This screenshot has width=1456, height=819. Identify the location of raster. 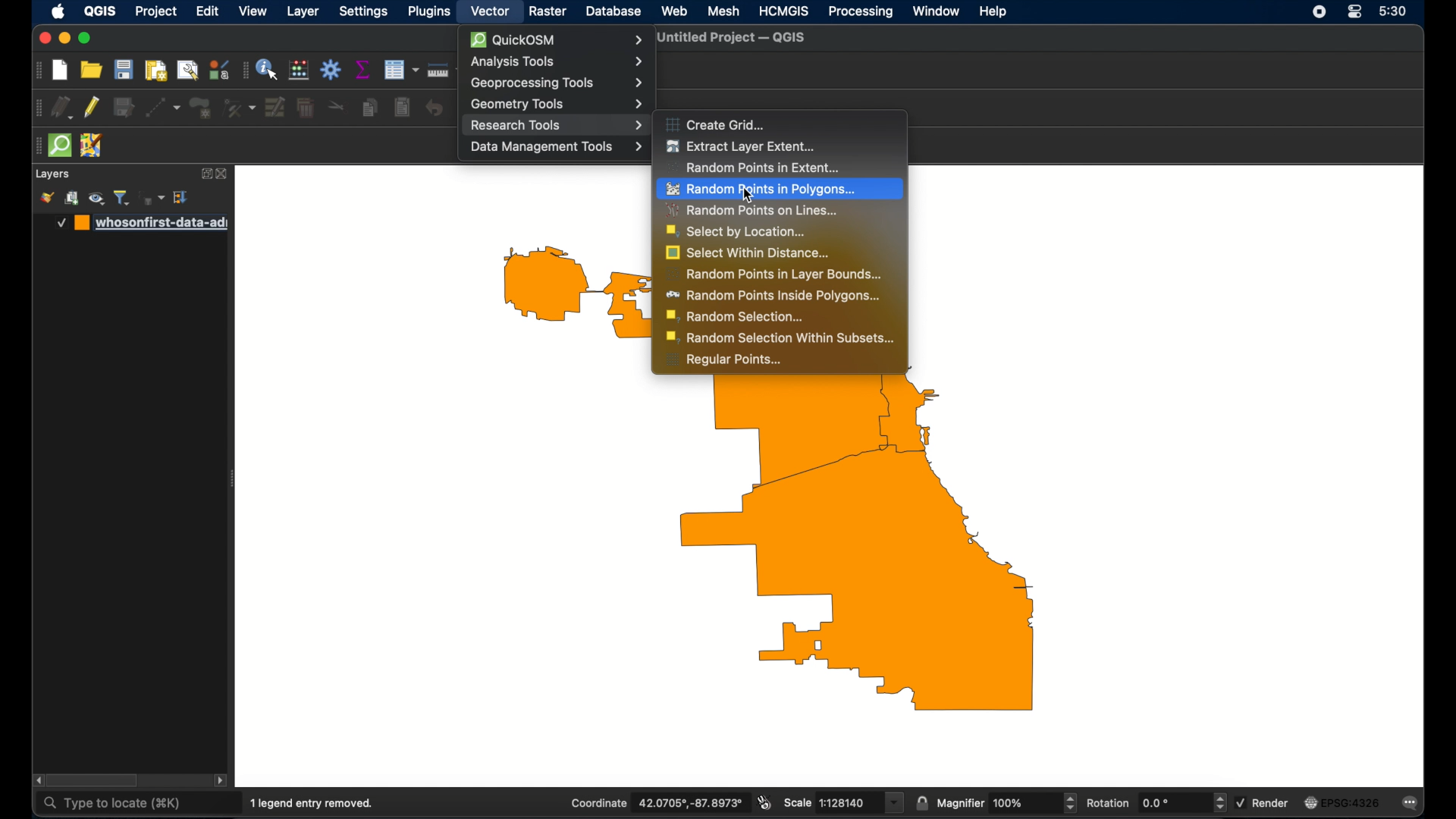
(547, 11).